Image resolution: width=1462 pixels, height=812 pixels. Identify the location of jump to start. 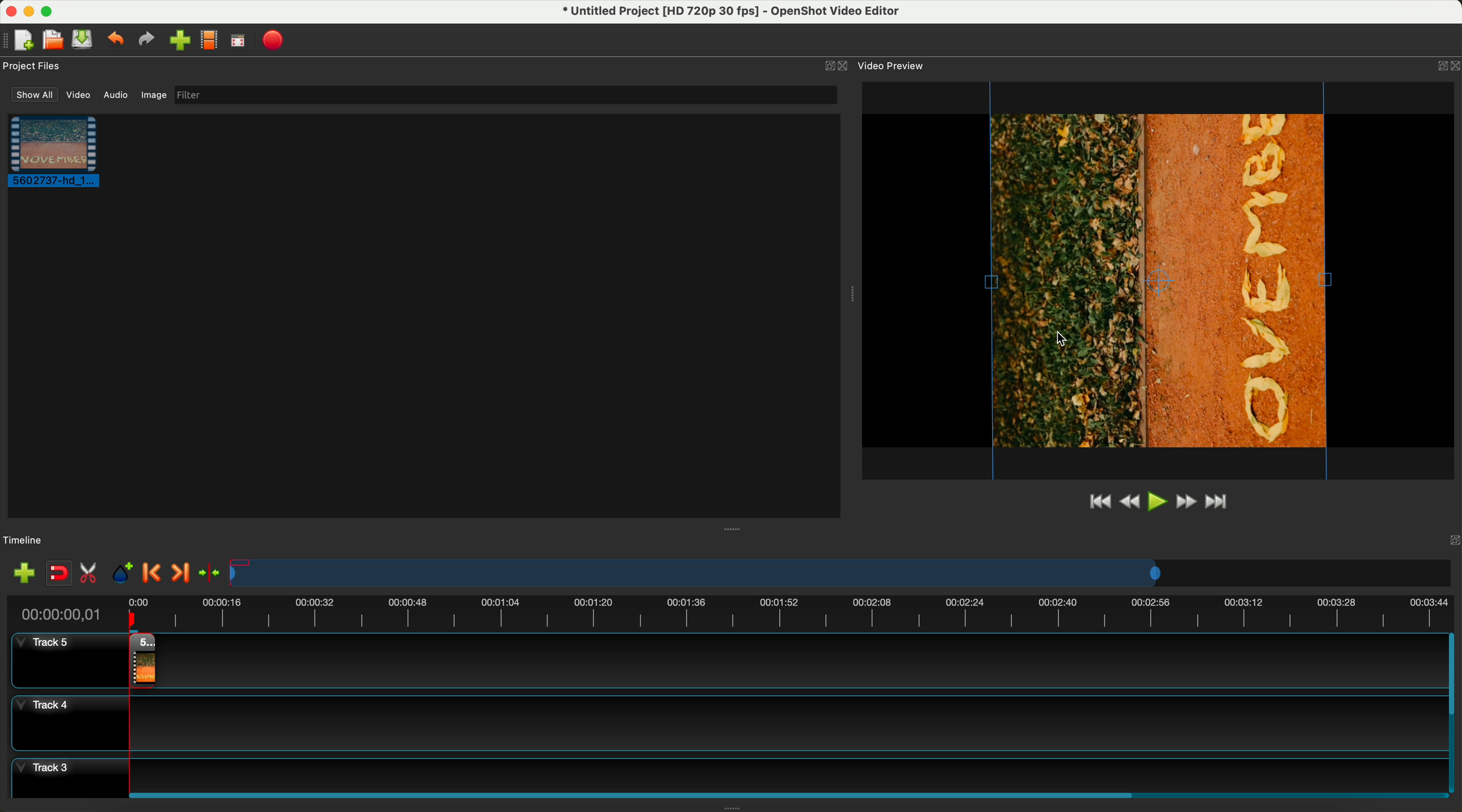
(1098, 503).